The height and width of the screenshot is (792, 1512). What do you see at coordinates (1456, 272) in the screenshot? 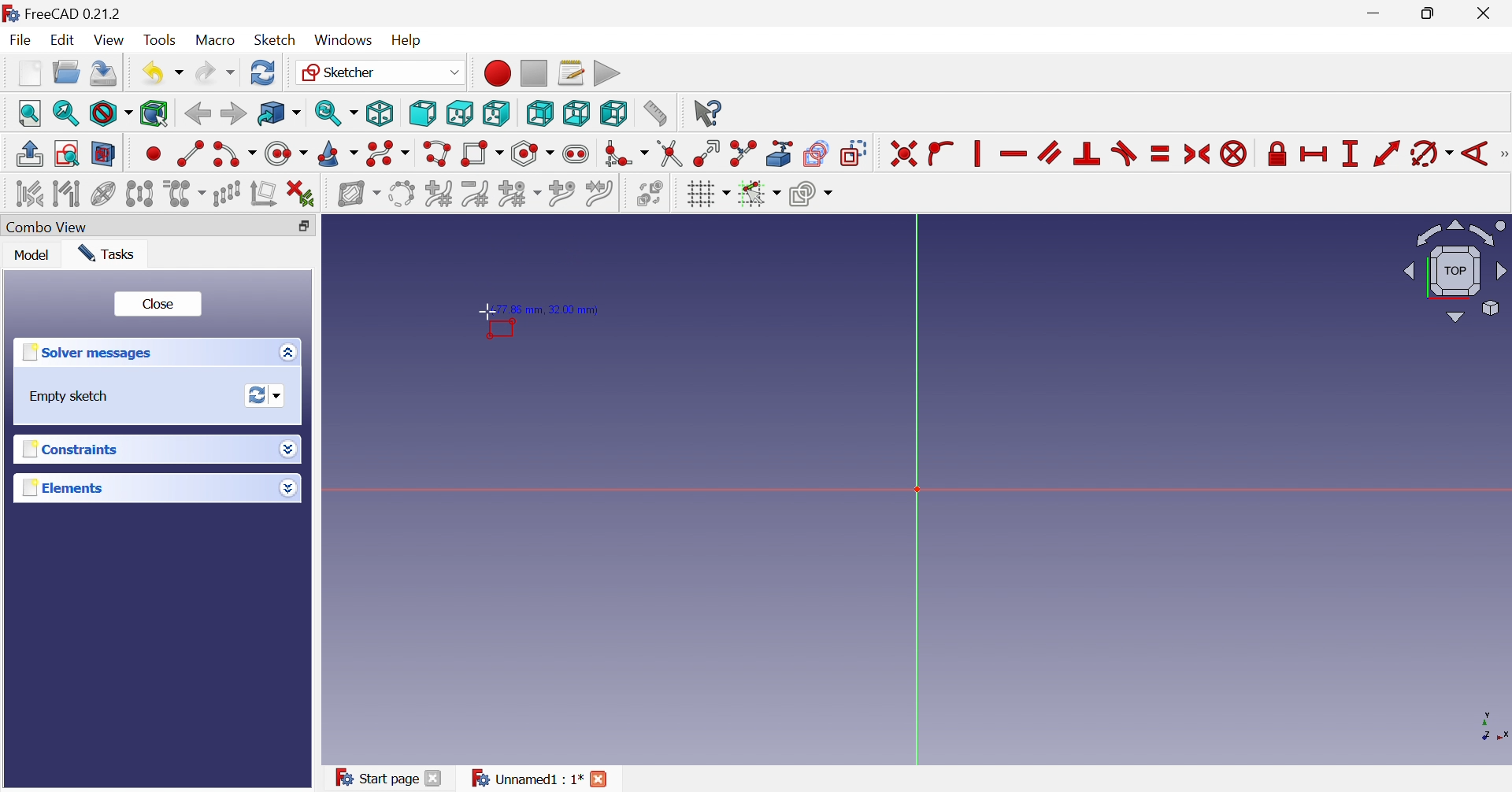
I see `Viewing angle` at bounding box center [1456, 272].